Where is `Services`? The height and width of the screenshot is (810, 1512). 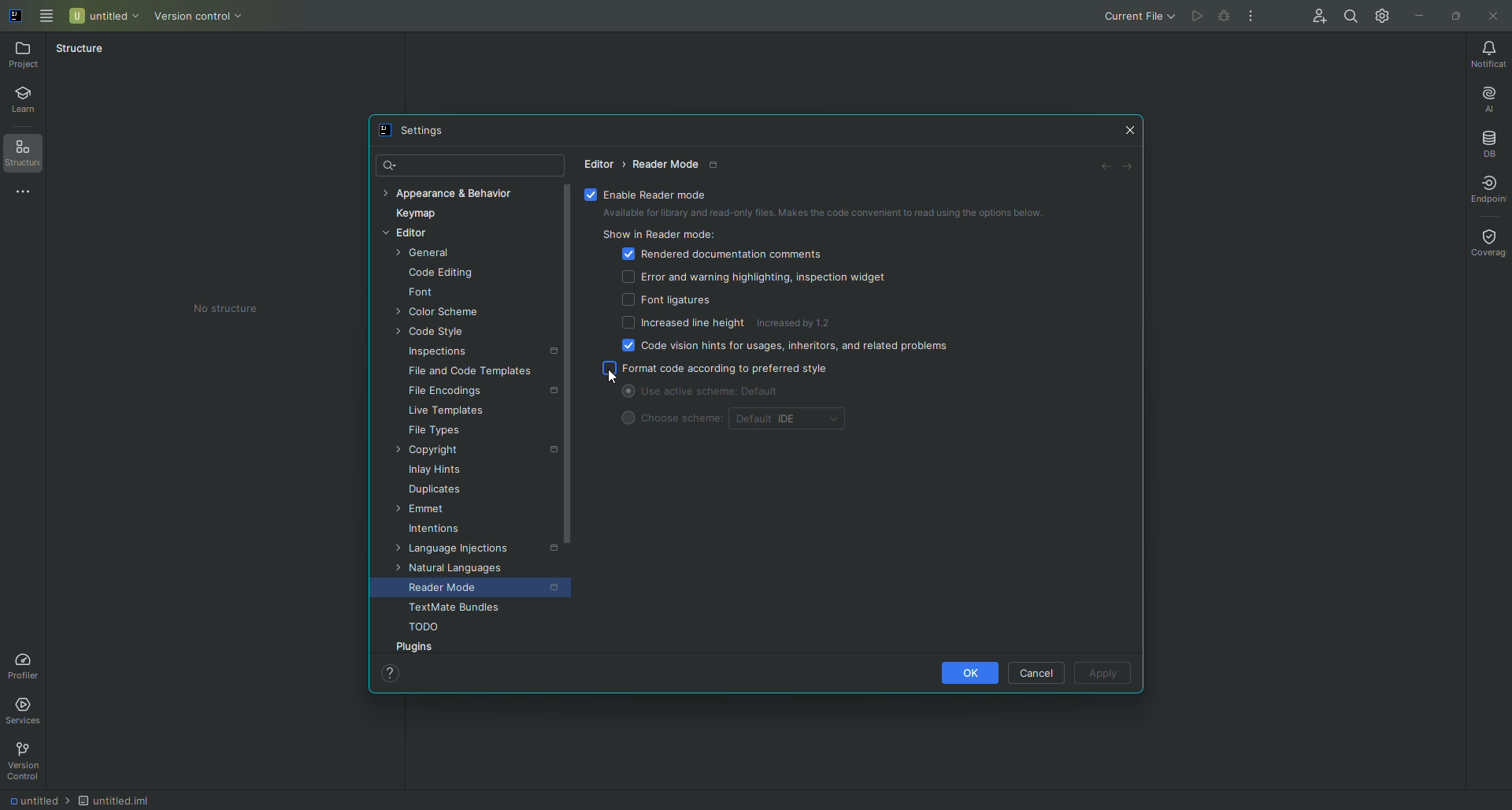 Services is located at coordinates (24, 713).